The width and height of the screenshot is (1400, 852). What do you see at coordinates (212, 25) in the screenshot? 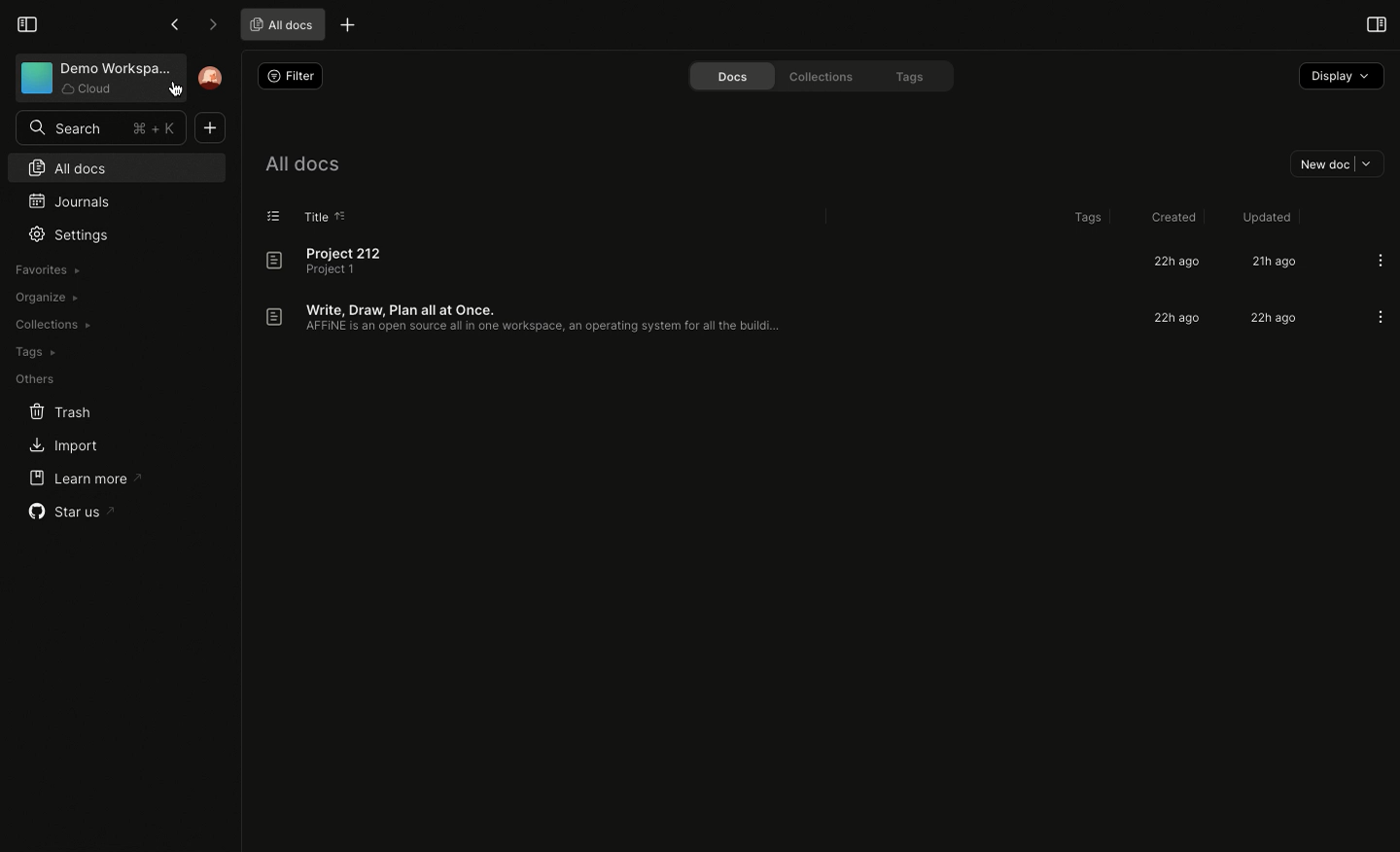
I see `Forward` at bounding box center [212, 25].